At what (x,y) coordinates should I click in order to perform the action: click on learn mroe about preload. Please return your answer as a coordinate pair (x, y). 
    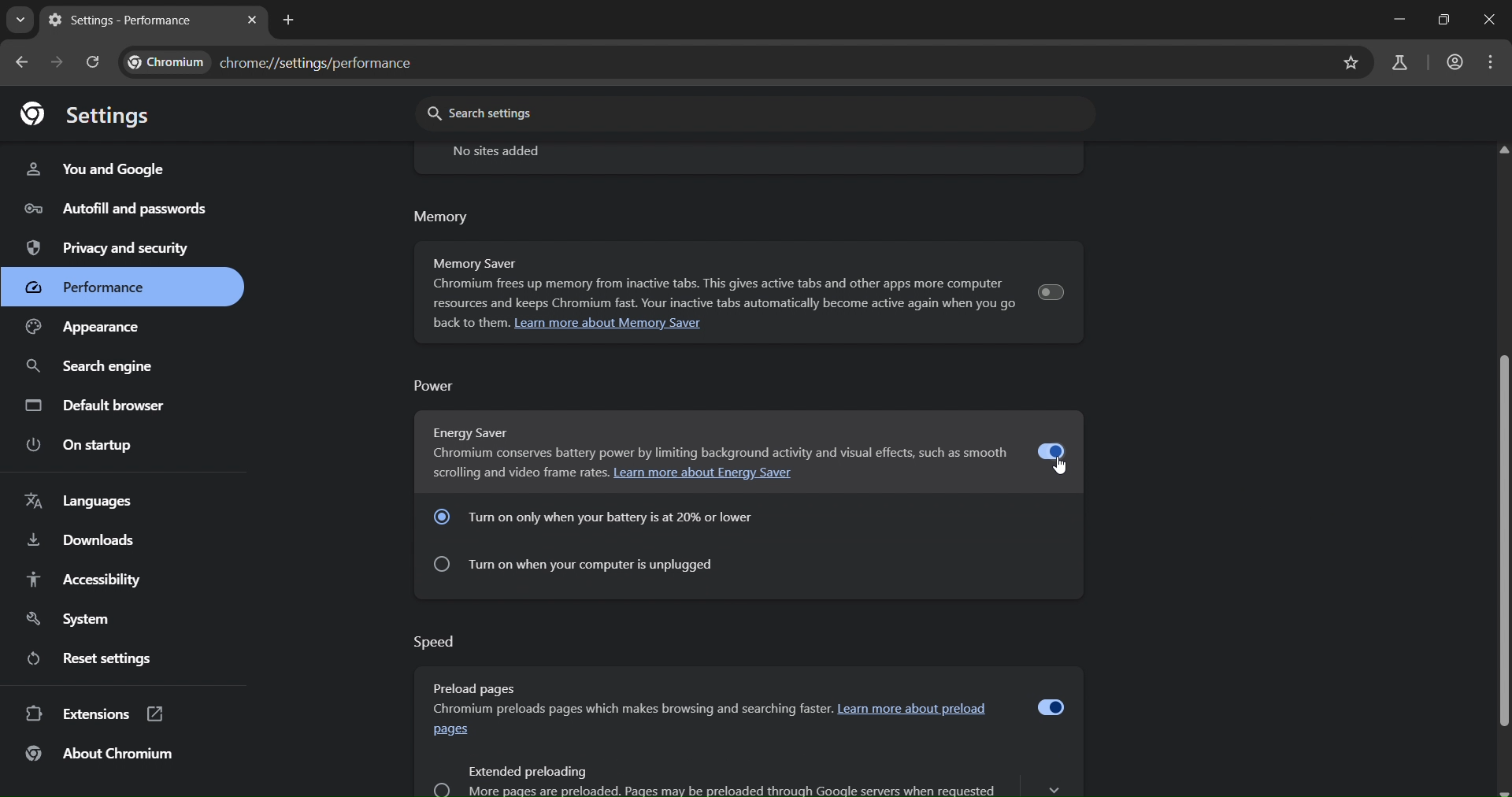
    Looking at the image, I should click on (920, 709).